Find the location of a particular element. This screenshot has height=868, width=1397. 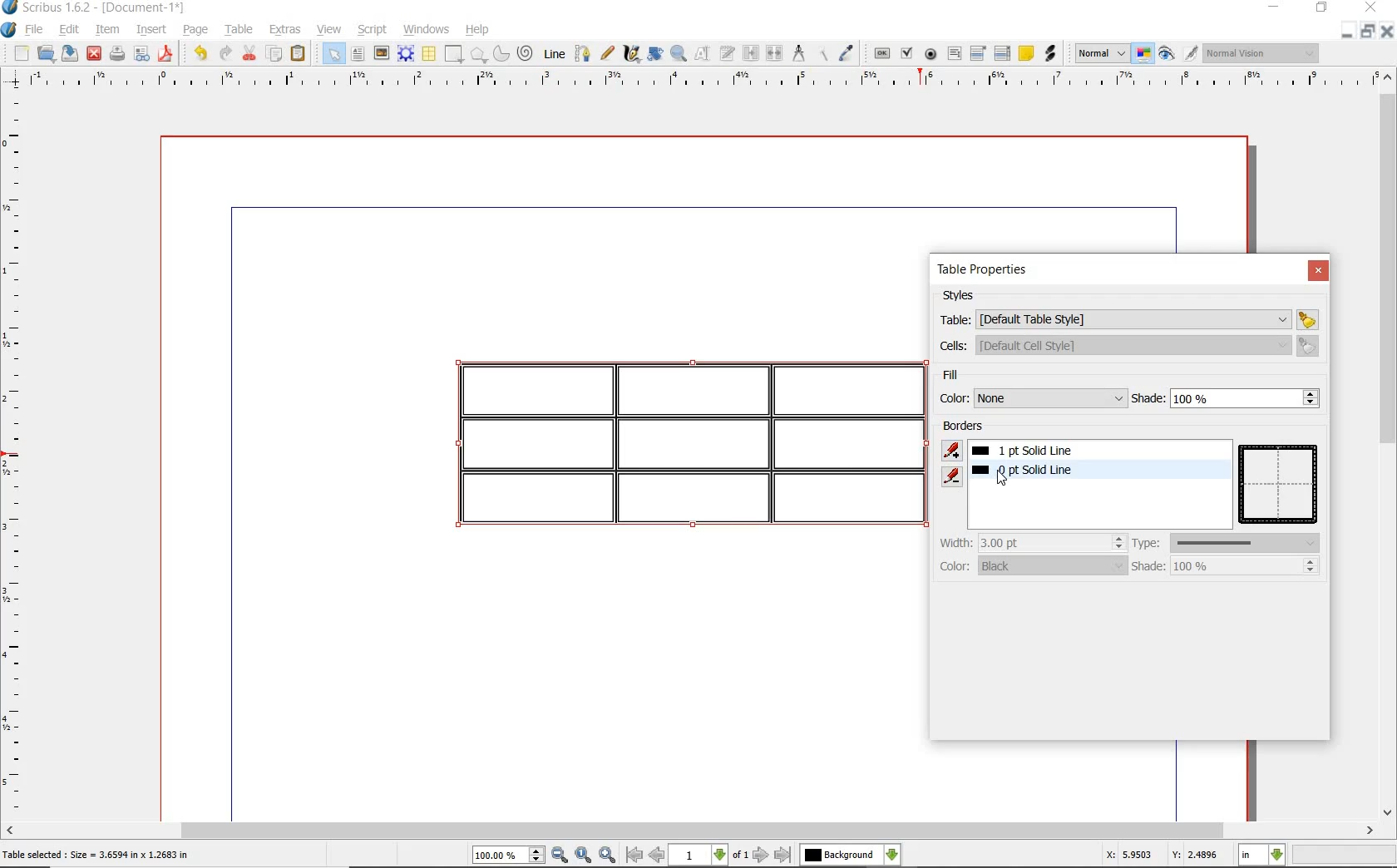

styles is located at coordinates (964, 296).